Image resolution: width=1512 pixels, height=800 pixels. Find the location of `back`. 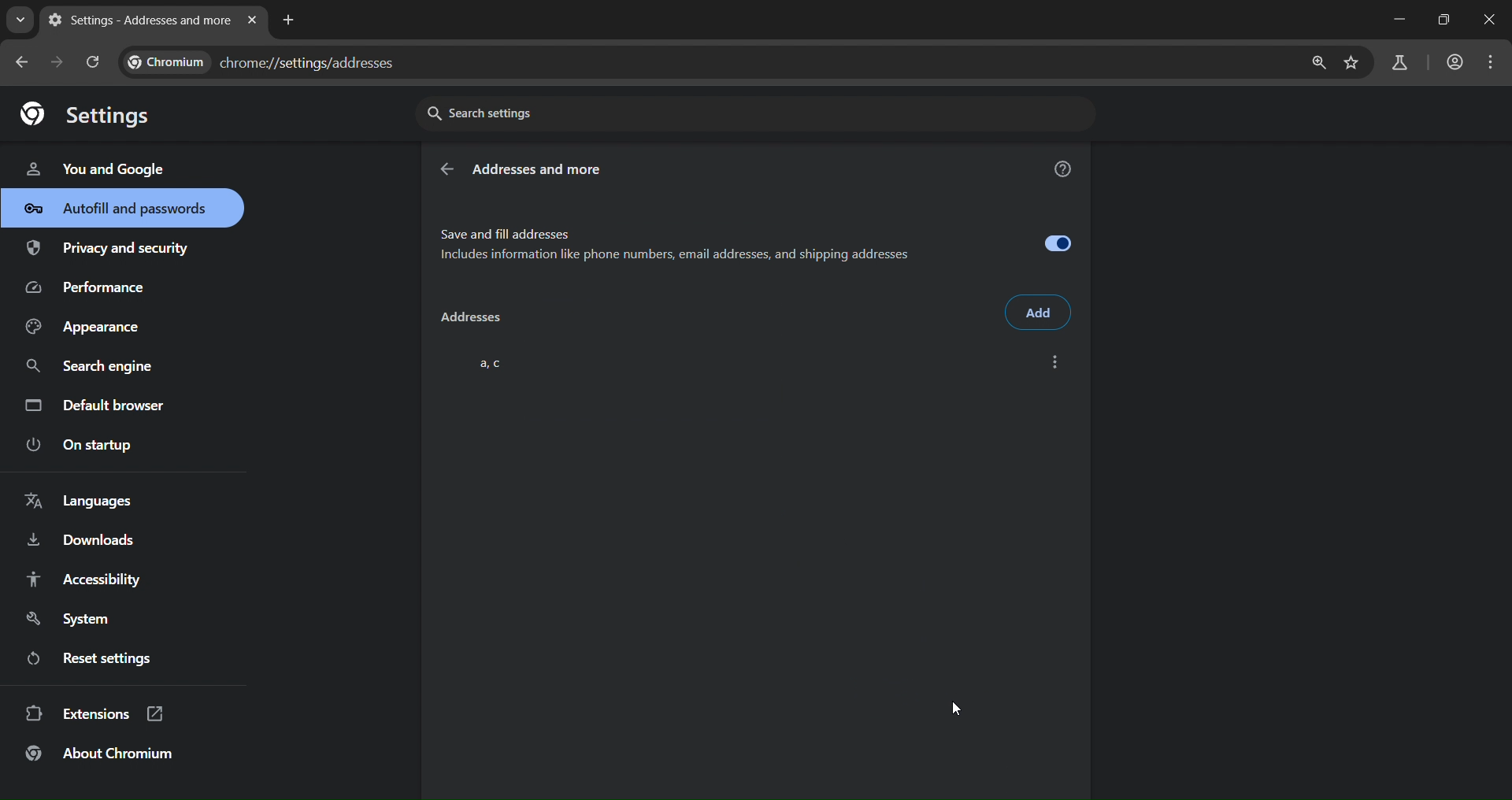

back is located at coordinates (446, 170).